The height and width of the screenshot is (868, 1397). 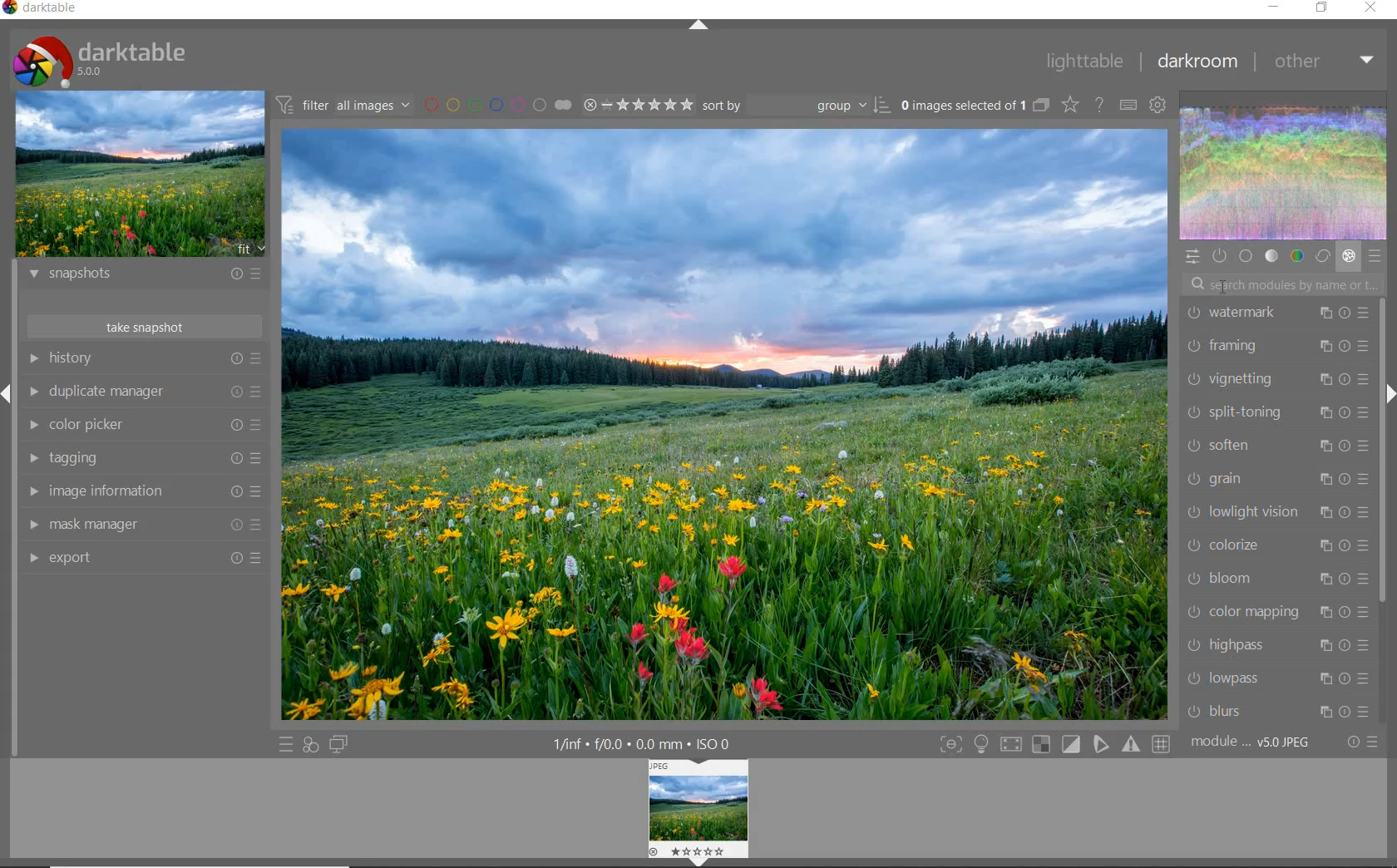 What do you see at coordinates (975, 106) in the screenshot?
I see `expand grouped images` at bounding box center [975, 106].